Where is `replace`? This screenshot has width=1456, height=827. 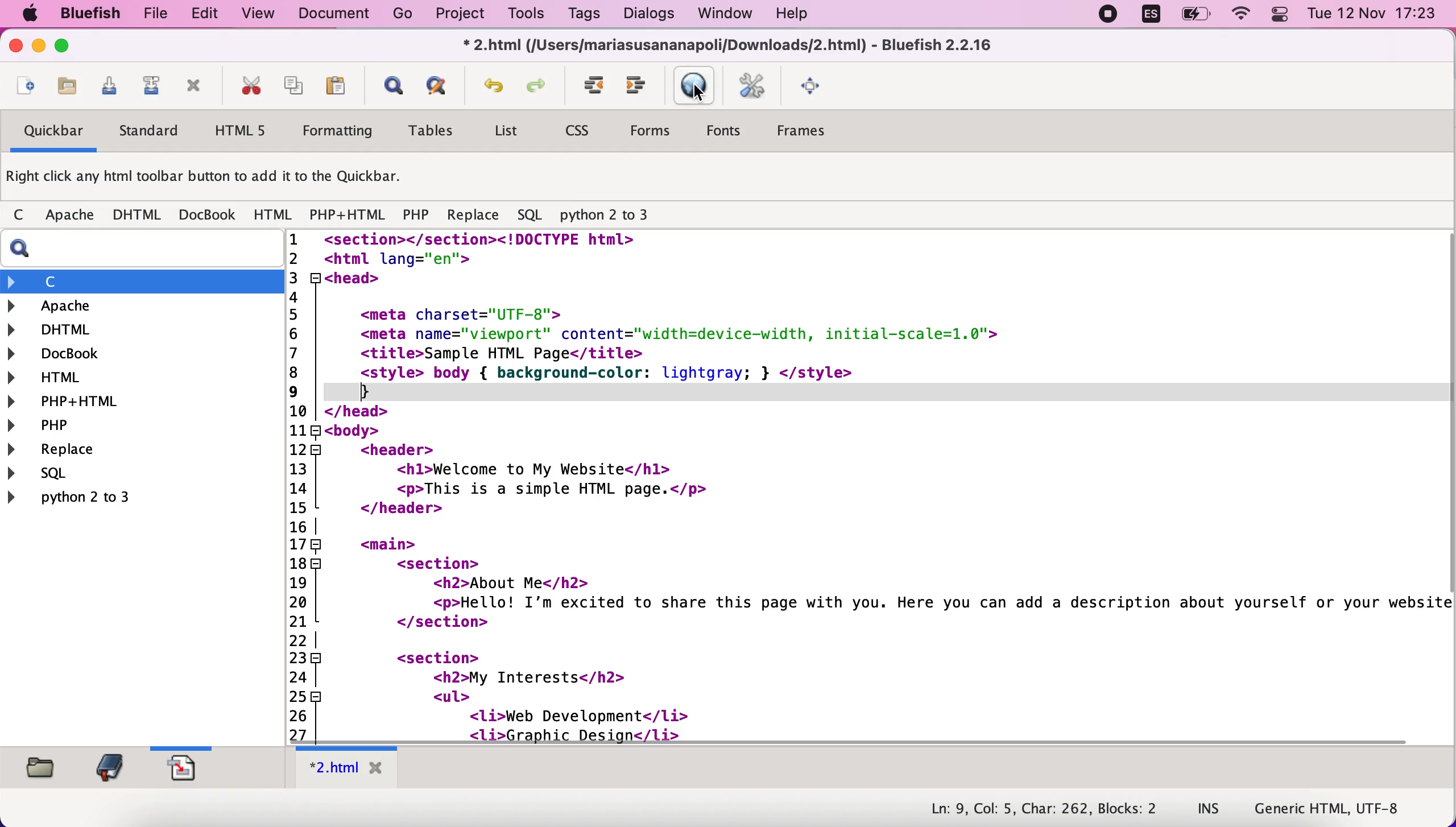
replace is located at coordinates (98, 450).